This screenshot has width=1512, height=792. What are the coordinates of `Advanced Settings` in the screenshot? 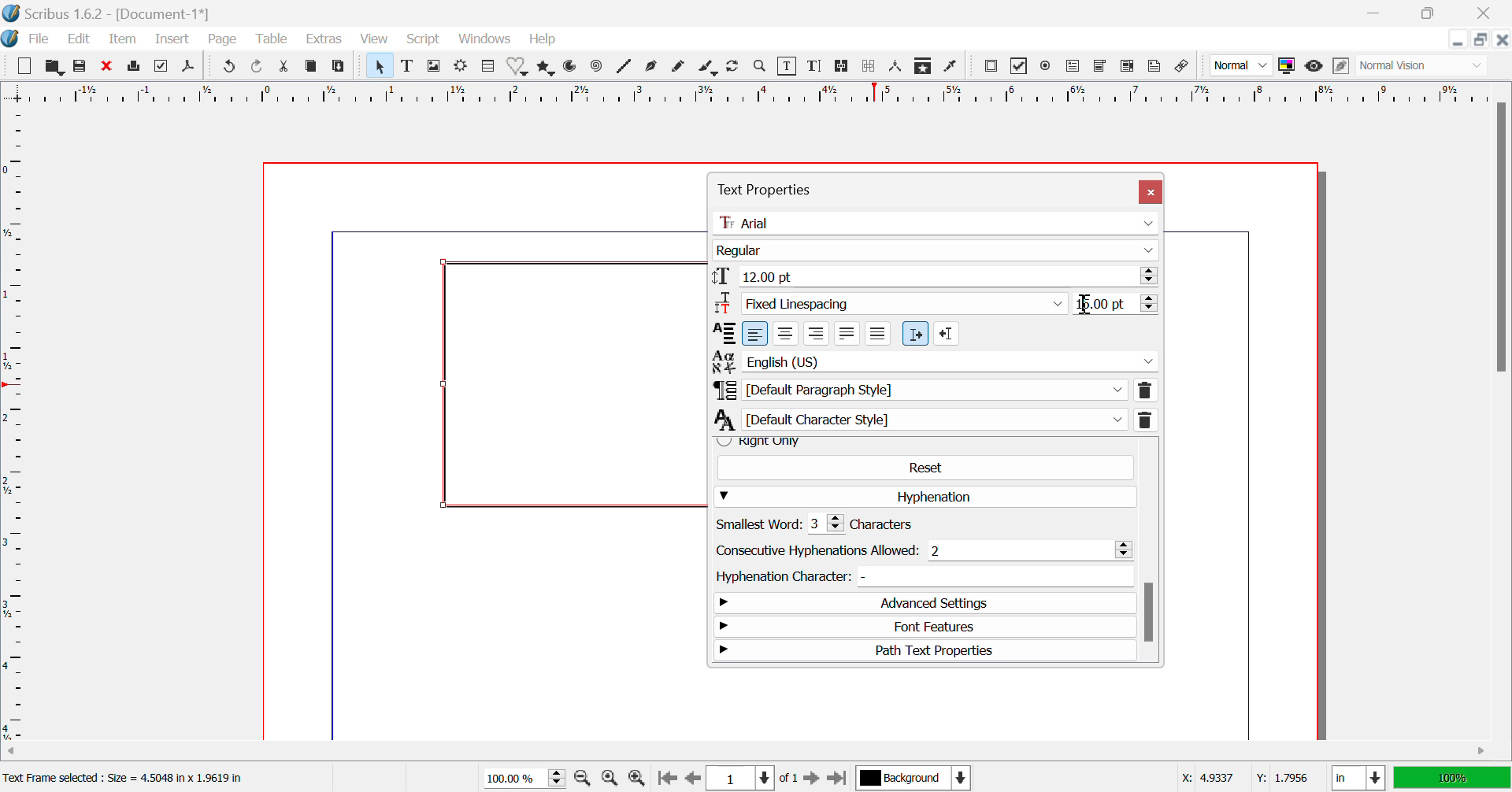 It's located at (921, 604).